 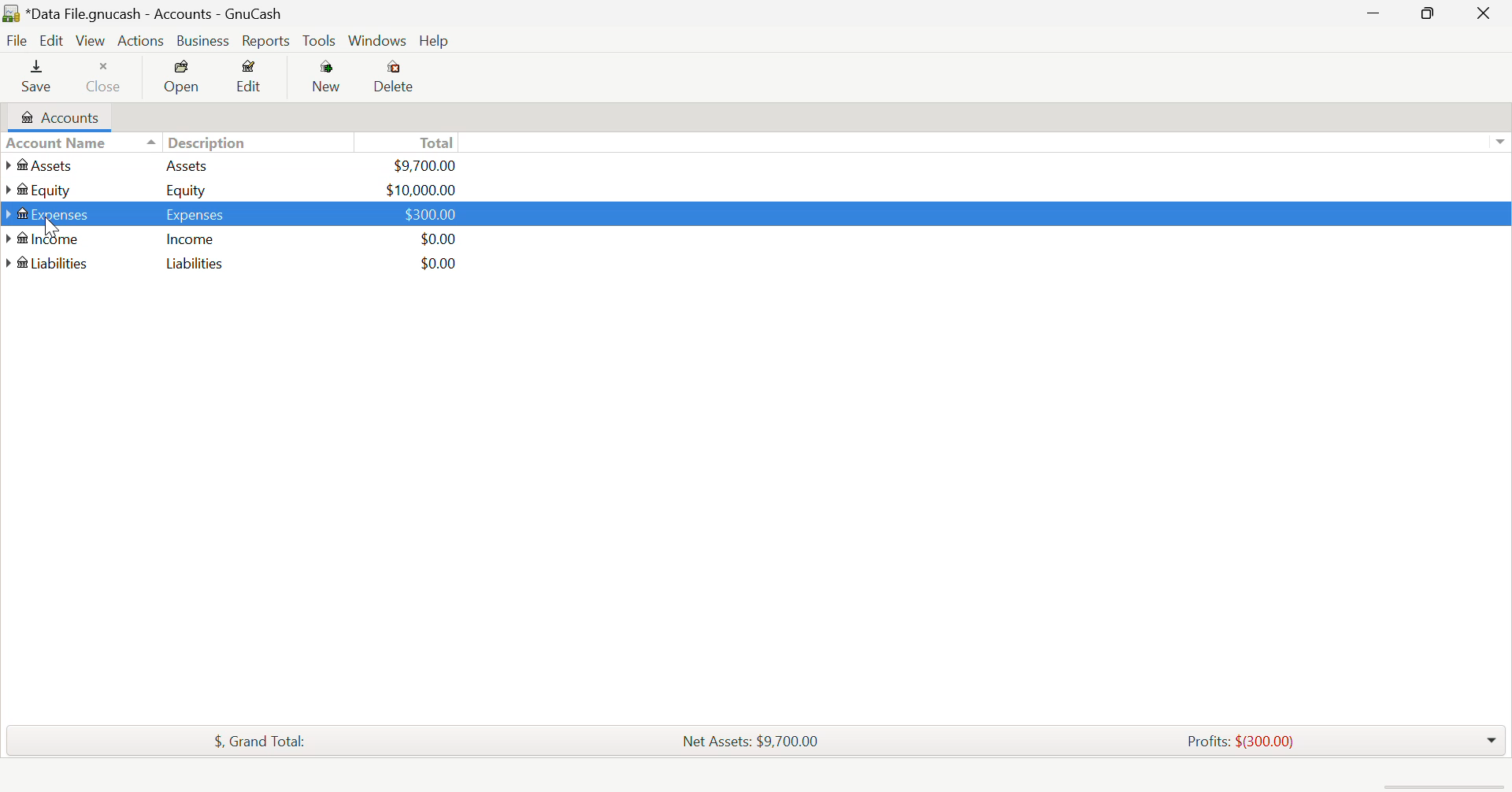 I want to click on Tools, so click(x=321, y=42).